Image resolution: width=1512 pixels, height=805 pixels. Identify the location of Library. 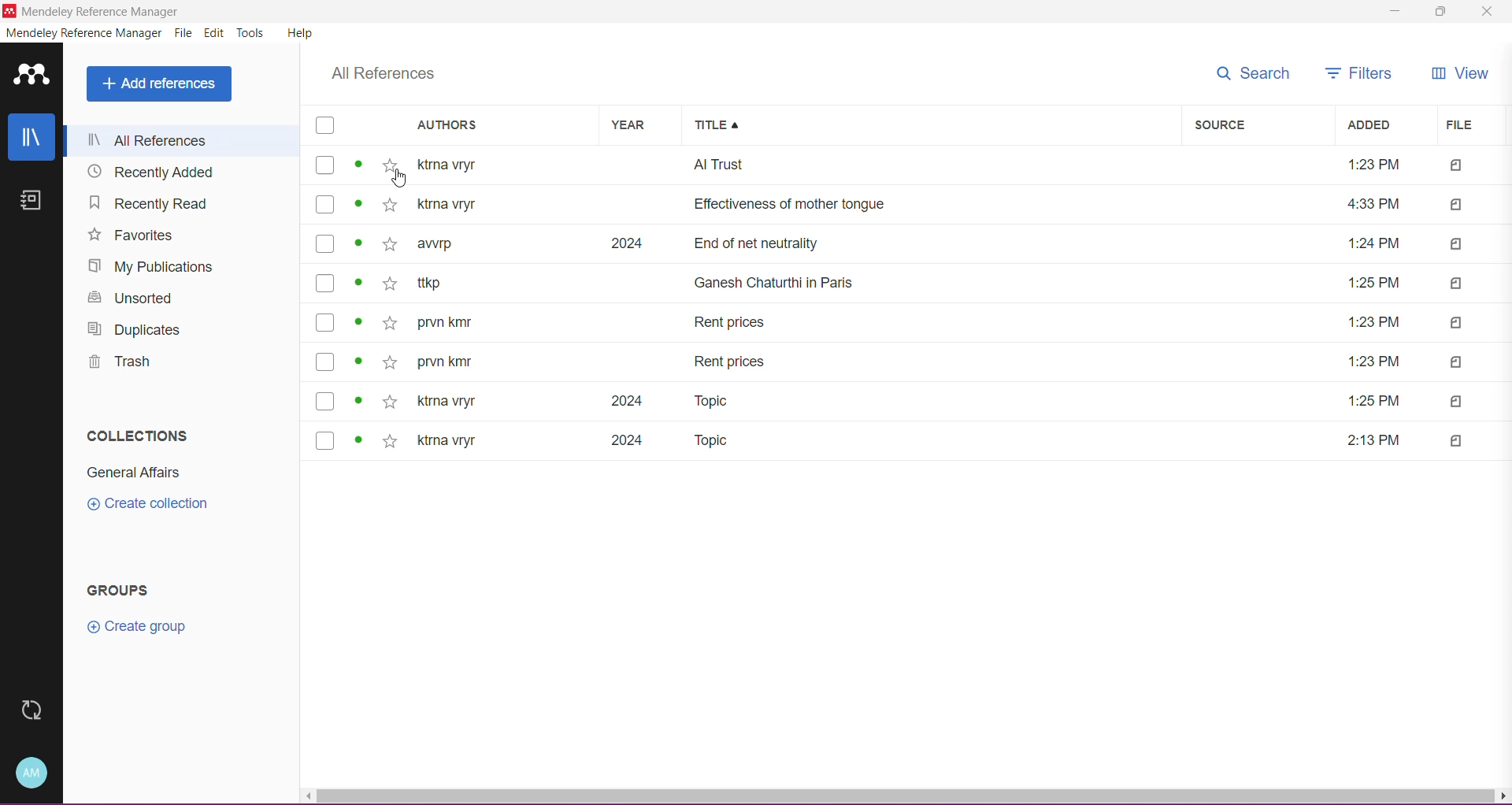
(31, 137).